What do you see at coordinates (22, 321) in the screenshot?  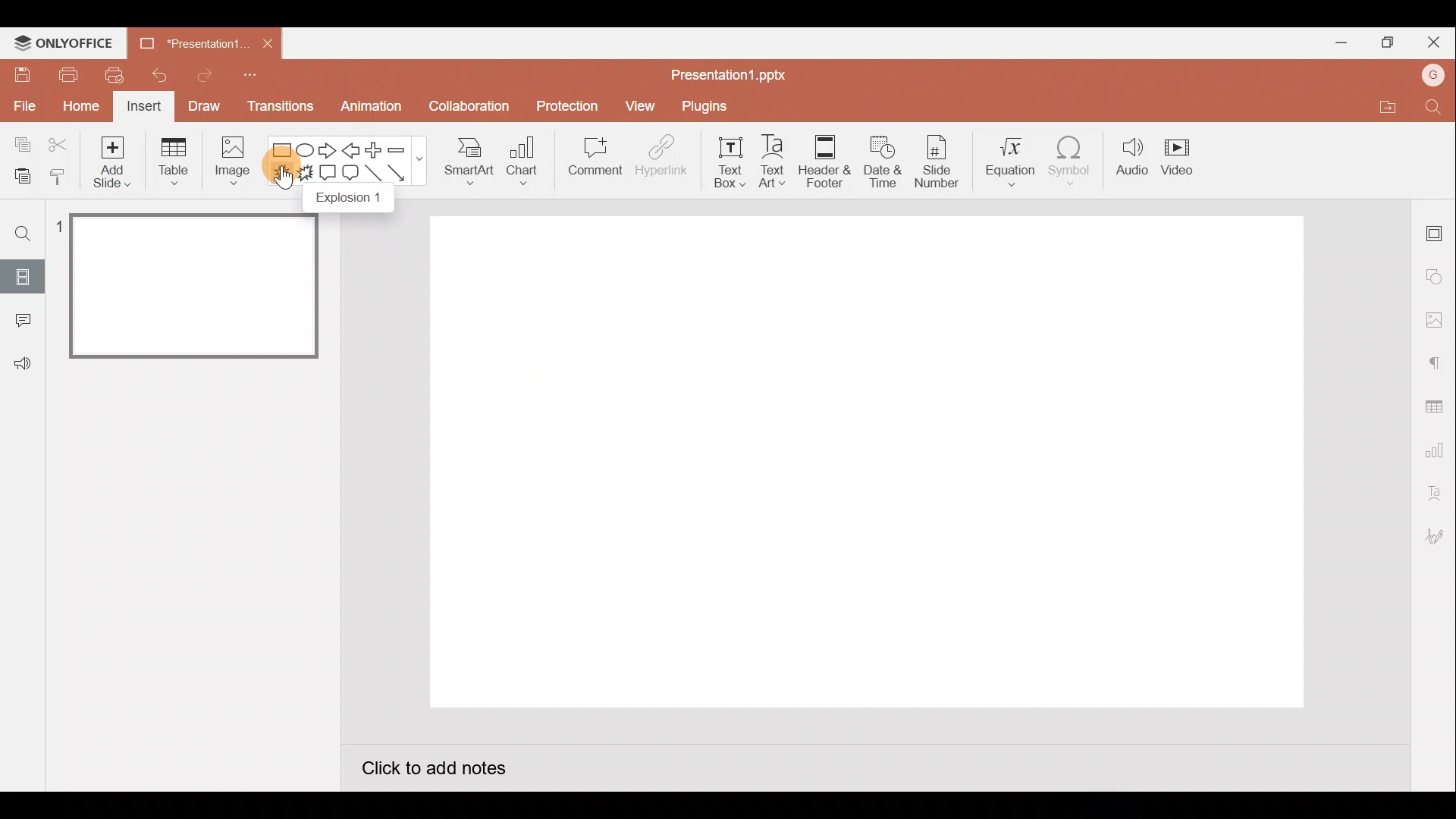 I see `Comment` at bounding box center [22, 321].